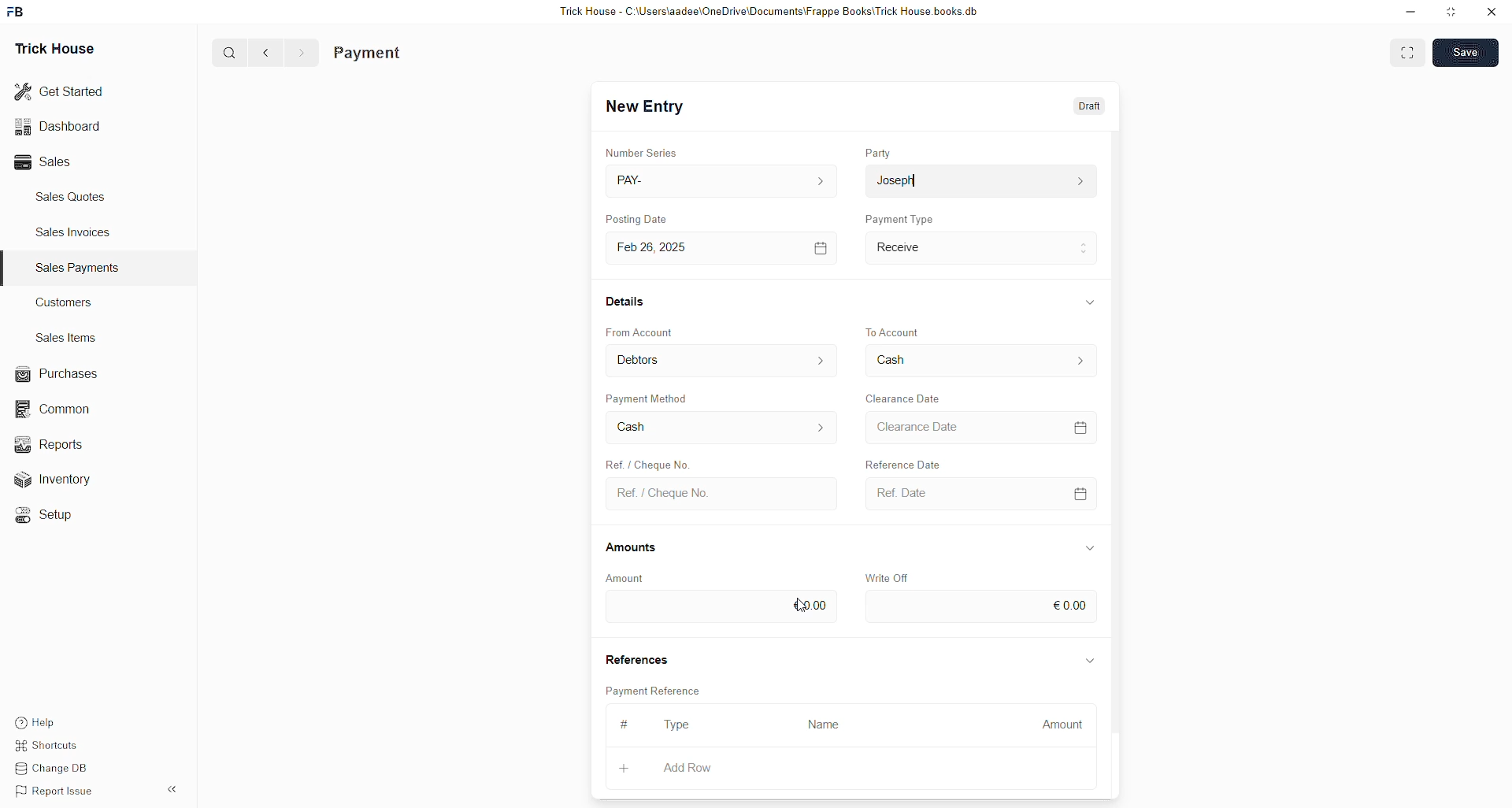 The height and width of the screenshot is (808, 1512). Describe the element at coordinates (72, 196) in the screenshot. I see `Sales Quotes.` at that location.